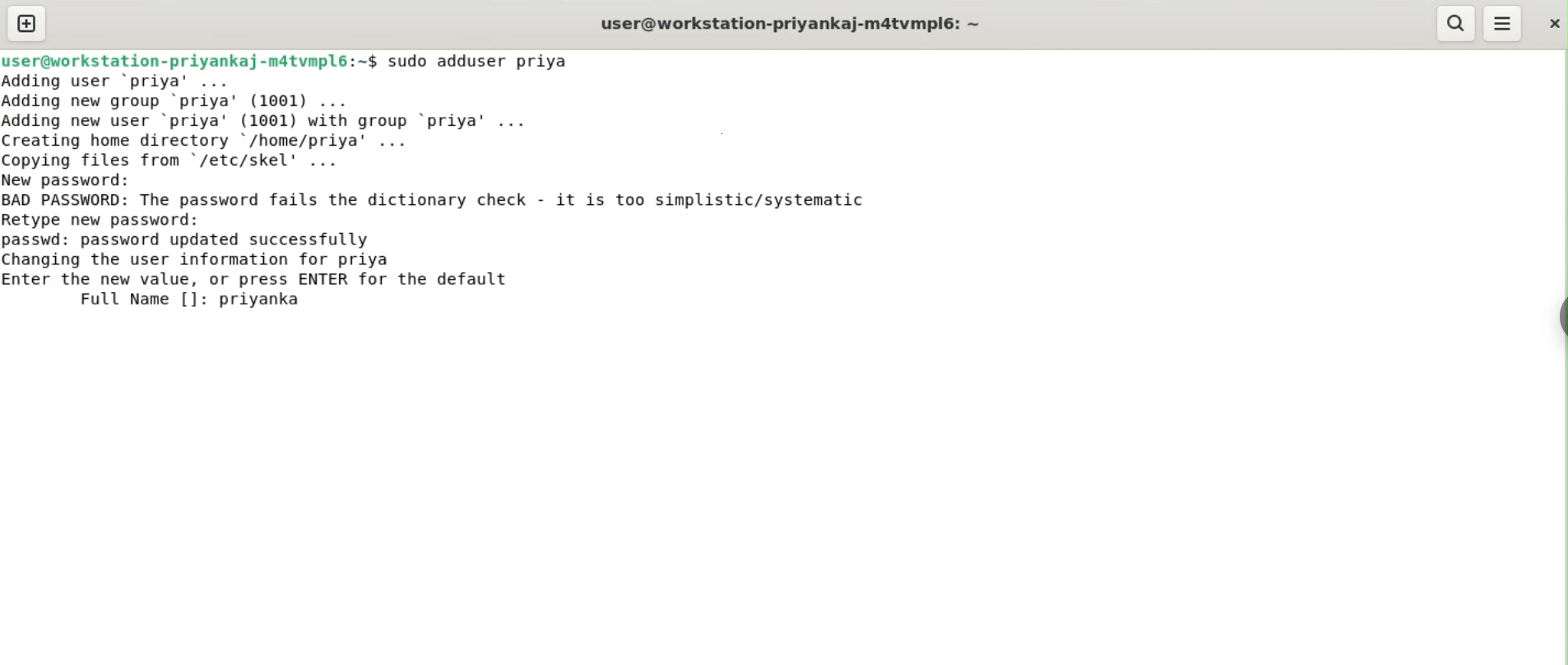 The image size is (1568, 665). I want to click on new tab, so click(26, 23).